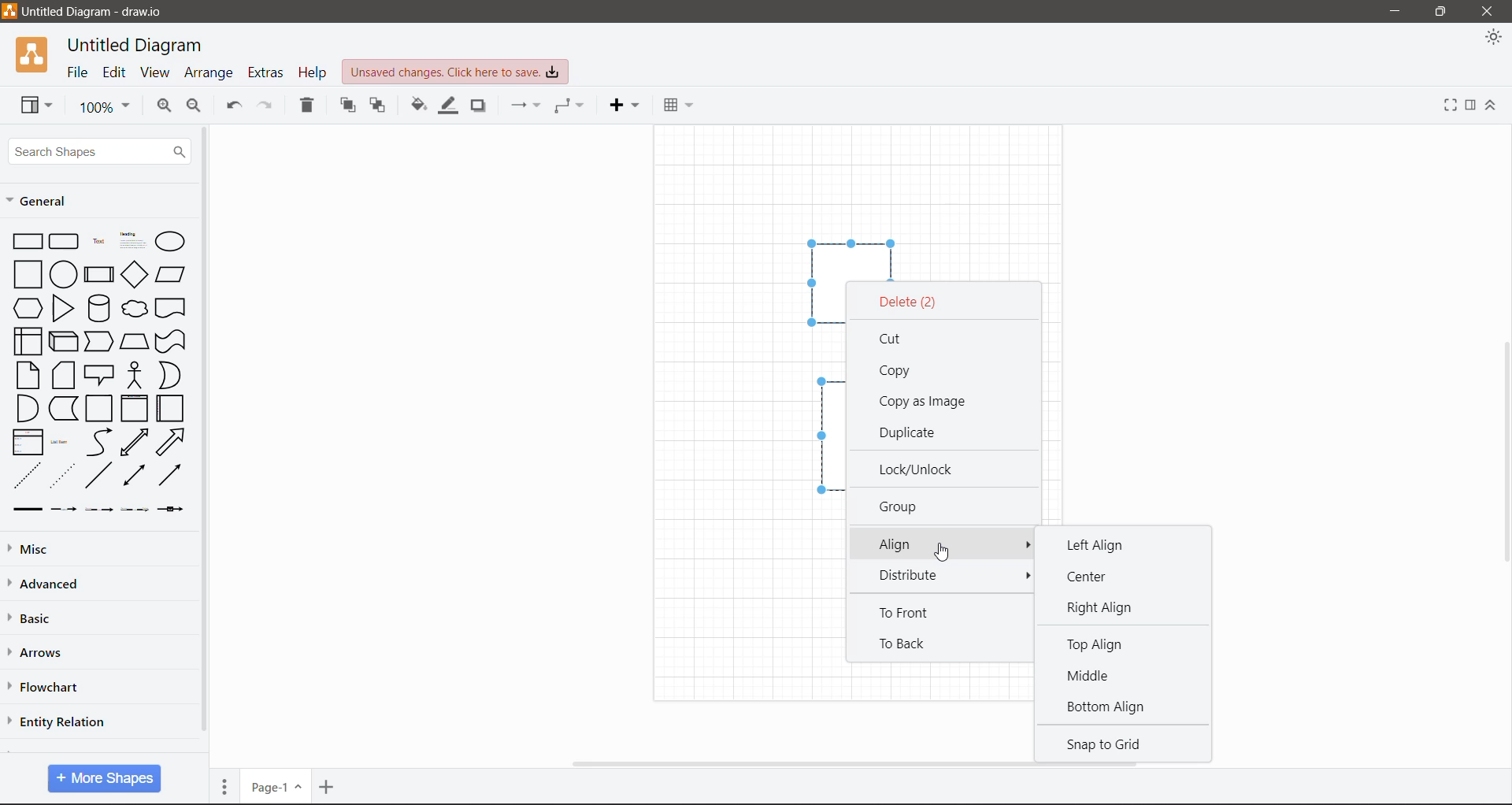 Image resolution: width=1512 pixels, height=805 pixels. What do you see at coordinates (96, 372) in the screenshot?
I see `Shapes available in General` at bounding box center [96, 372].